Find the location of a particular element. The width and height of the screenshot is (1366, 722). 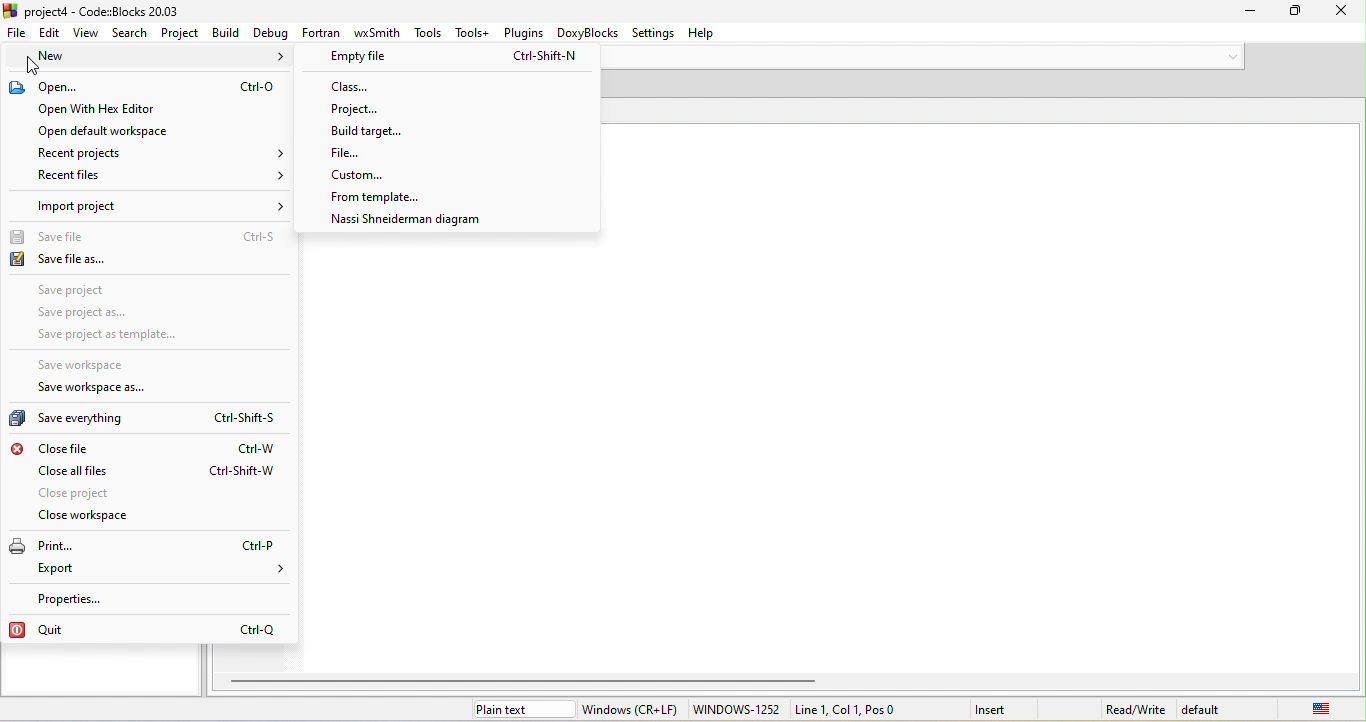

project is located at coordinates (181, 34).